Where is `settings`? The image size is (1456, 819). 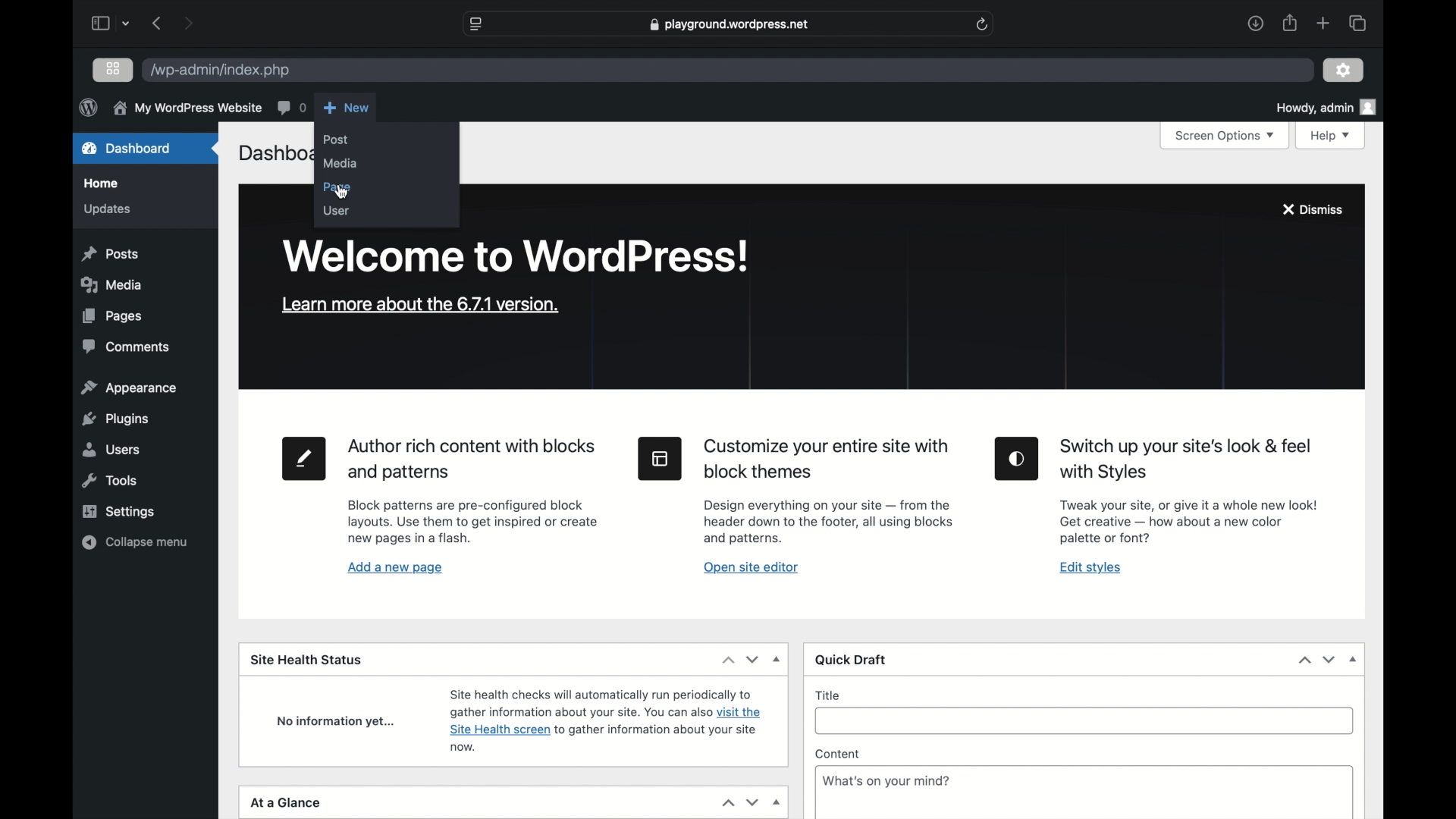
settings is located at coordinates (118, 511).